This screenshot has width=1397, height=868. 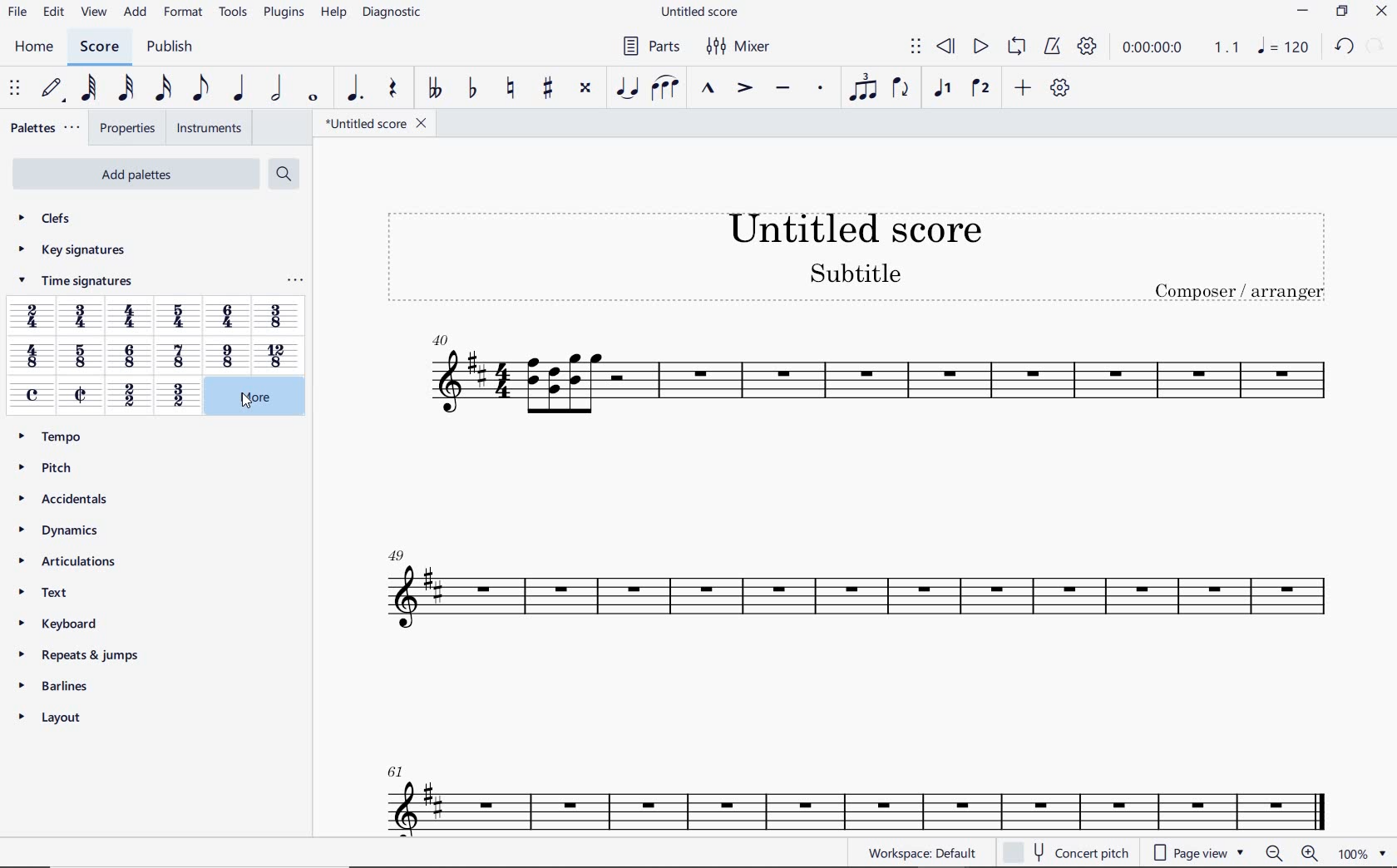 I want to click on KEYBOARD, so click(x=61, y=622).